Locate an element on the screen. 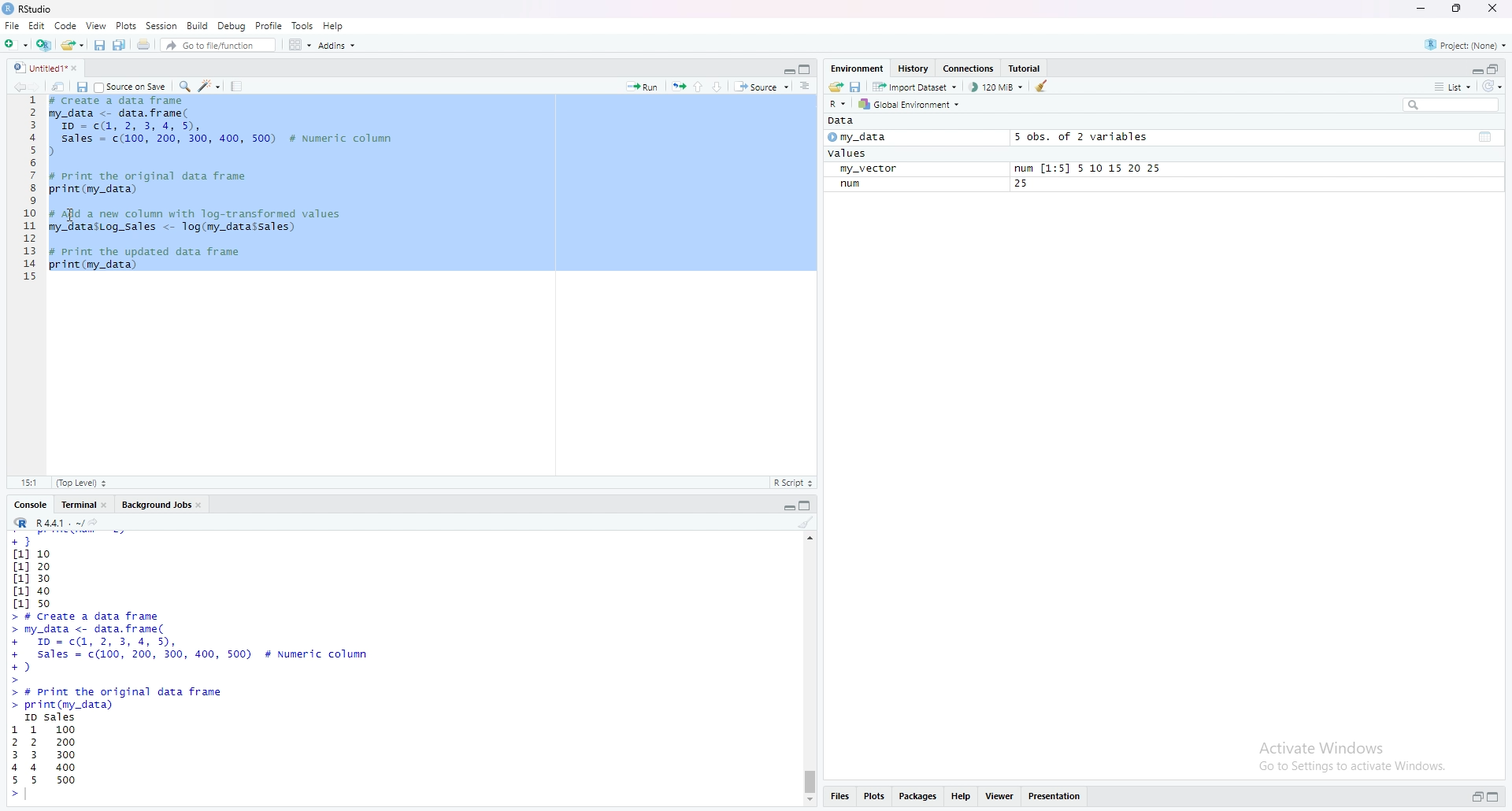  my_data is located at coordinates (874, 139).